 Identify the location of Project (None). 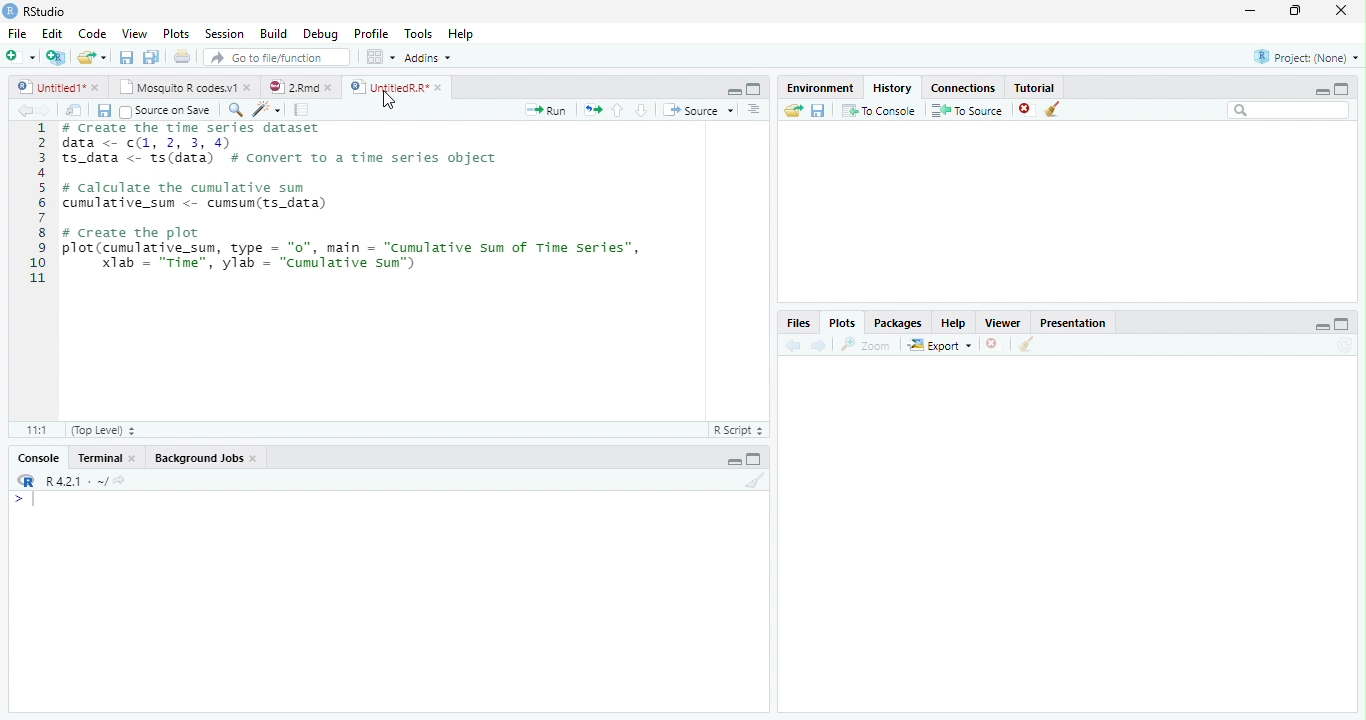
(1307, 57).